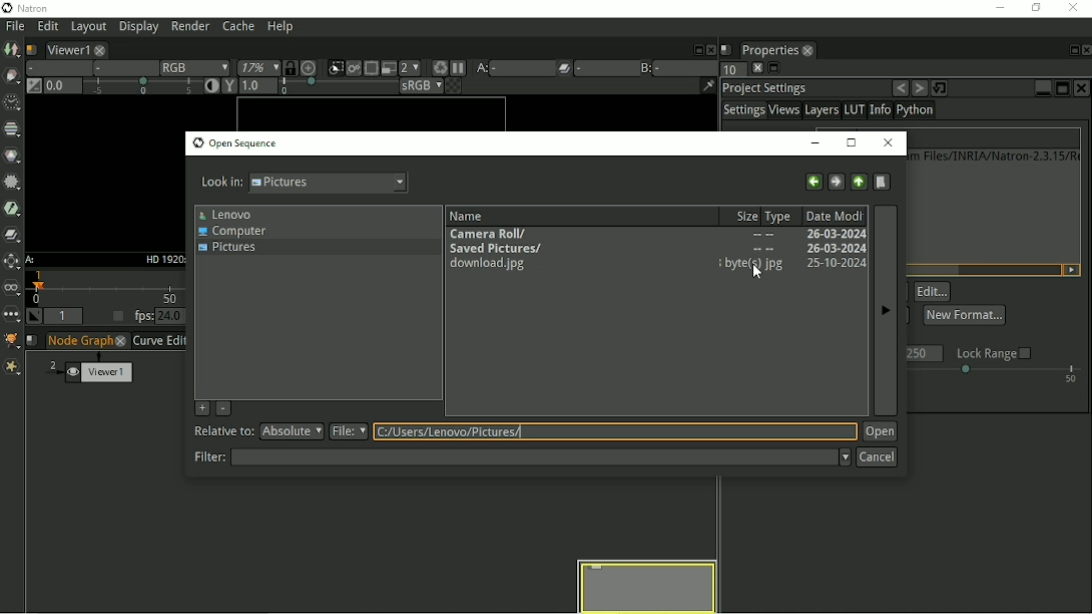 The width and height of the screenshot is (1092, 614). What do you see at coordinates (304, 184) in the screenshot?
I see `Look in` at bounding box center [304, 184].